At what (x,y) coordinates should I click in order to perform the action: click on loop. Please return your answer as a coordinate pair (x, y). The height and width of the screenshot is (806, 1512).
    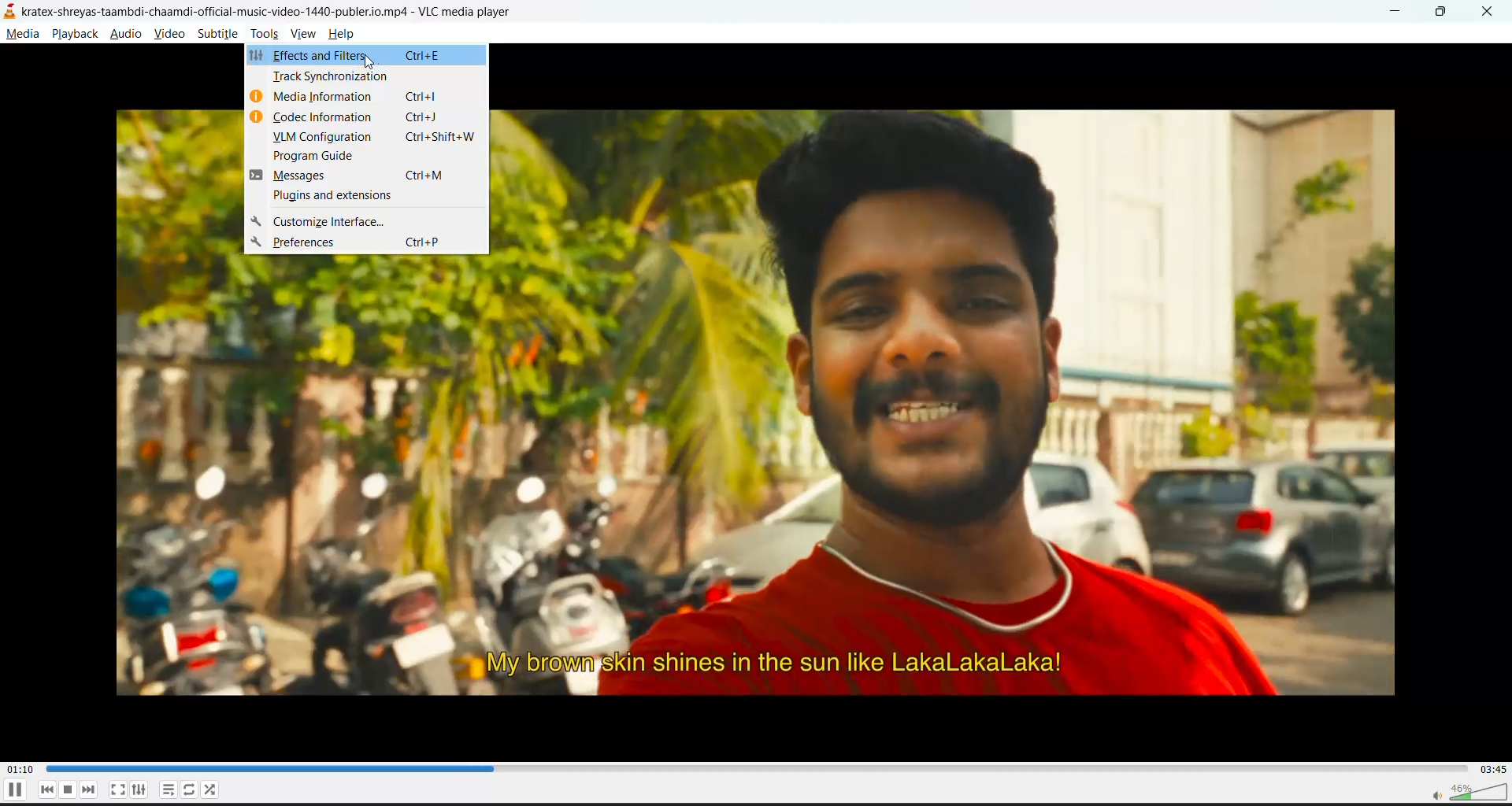
    Looking at the image, I should click on (187, 790).